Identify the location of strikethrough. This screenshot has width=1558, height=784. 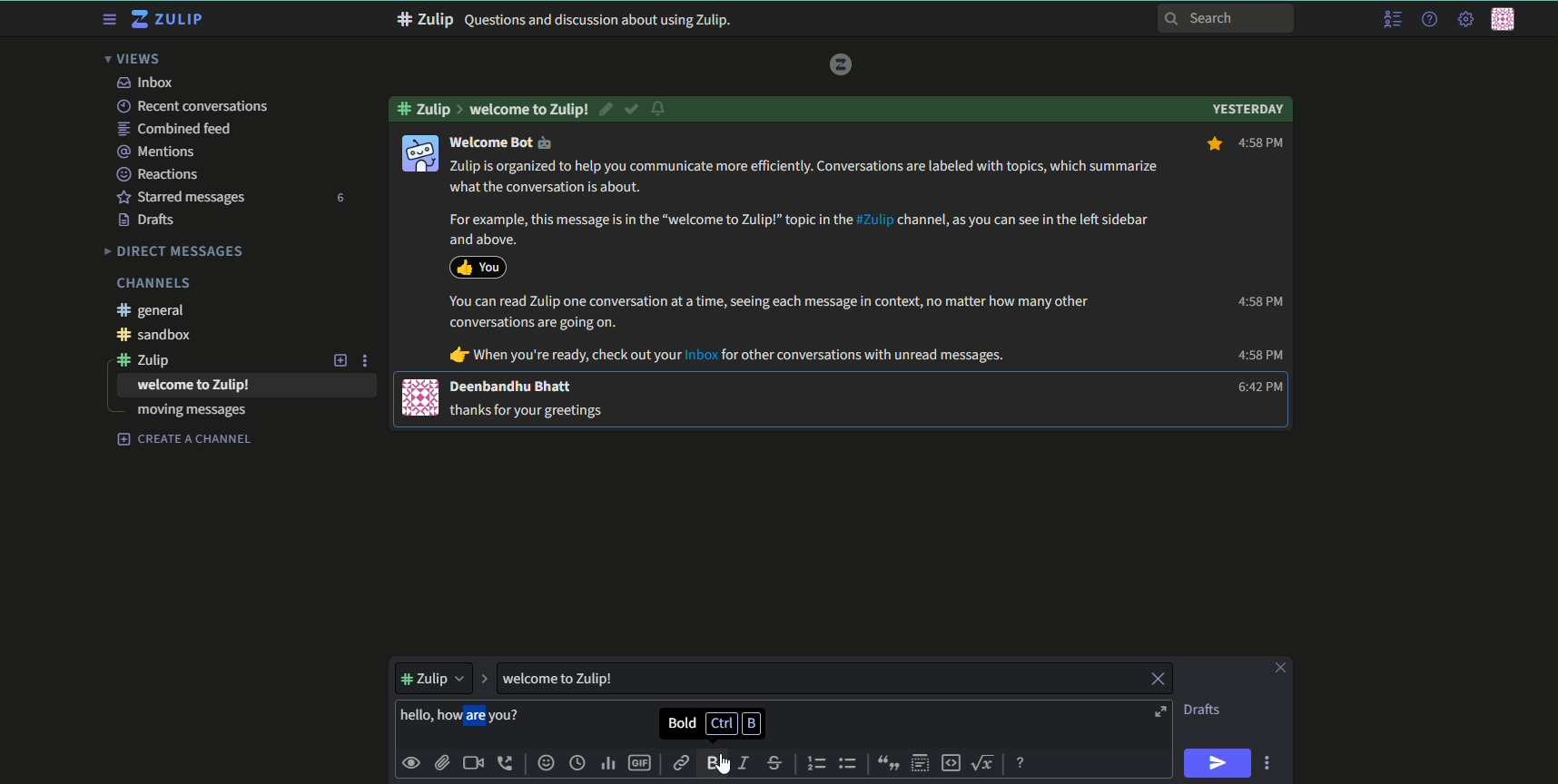
(775, 763).